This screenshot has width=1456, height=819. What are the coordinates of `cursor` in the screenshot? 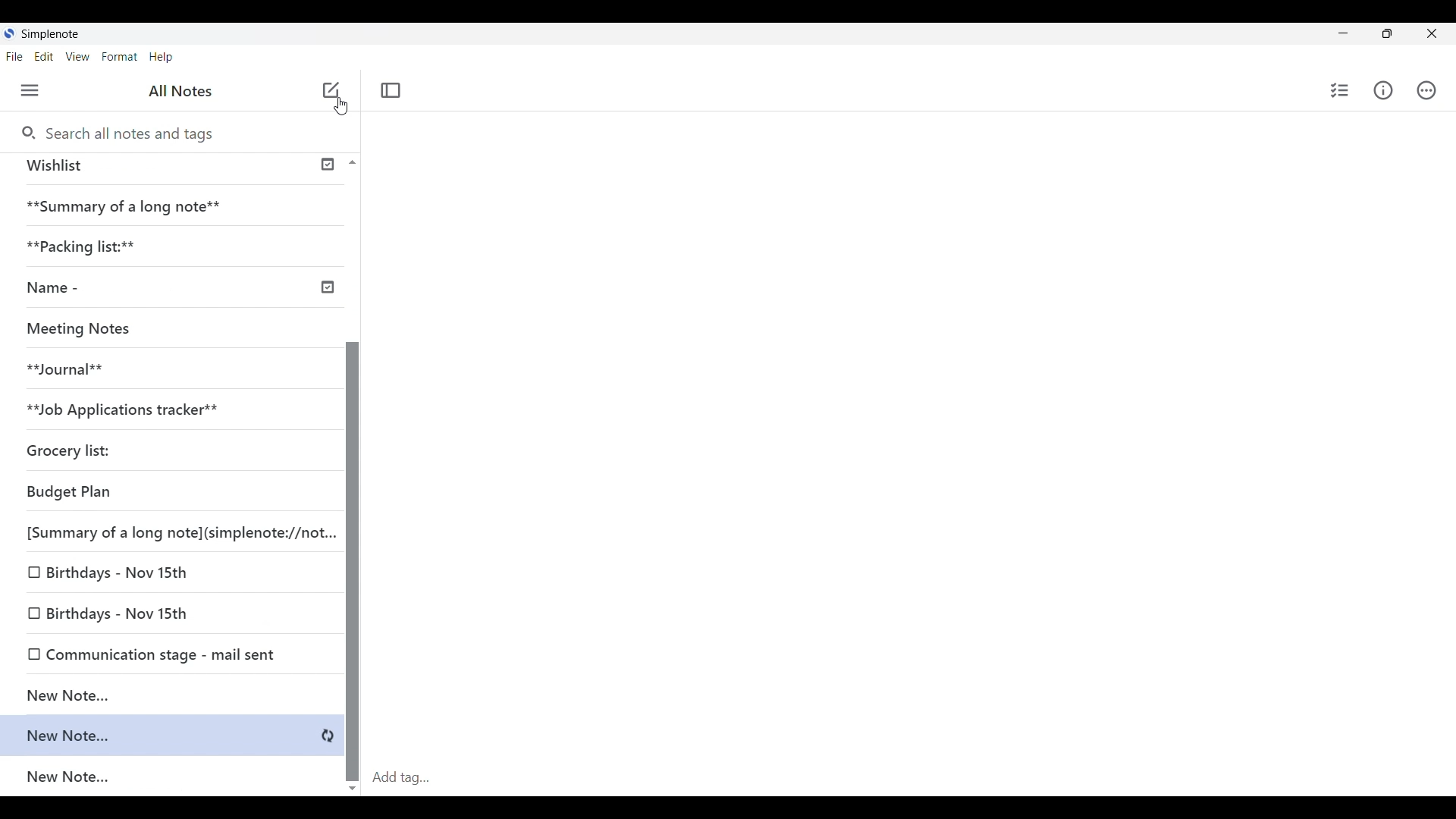 It's located at (346, 104).